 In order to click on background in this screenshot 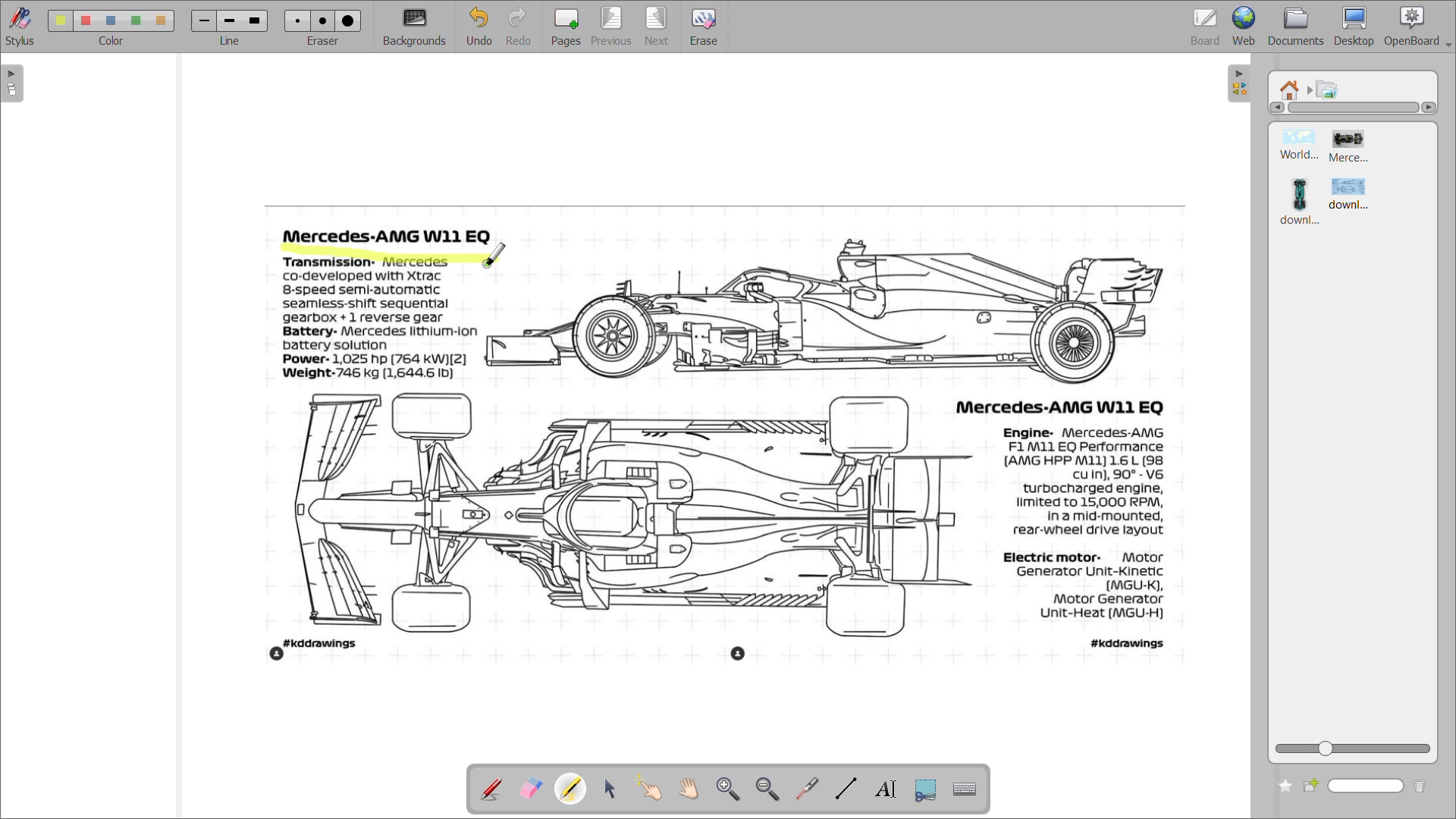, I will do `click(417, 27)`.